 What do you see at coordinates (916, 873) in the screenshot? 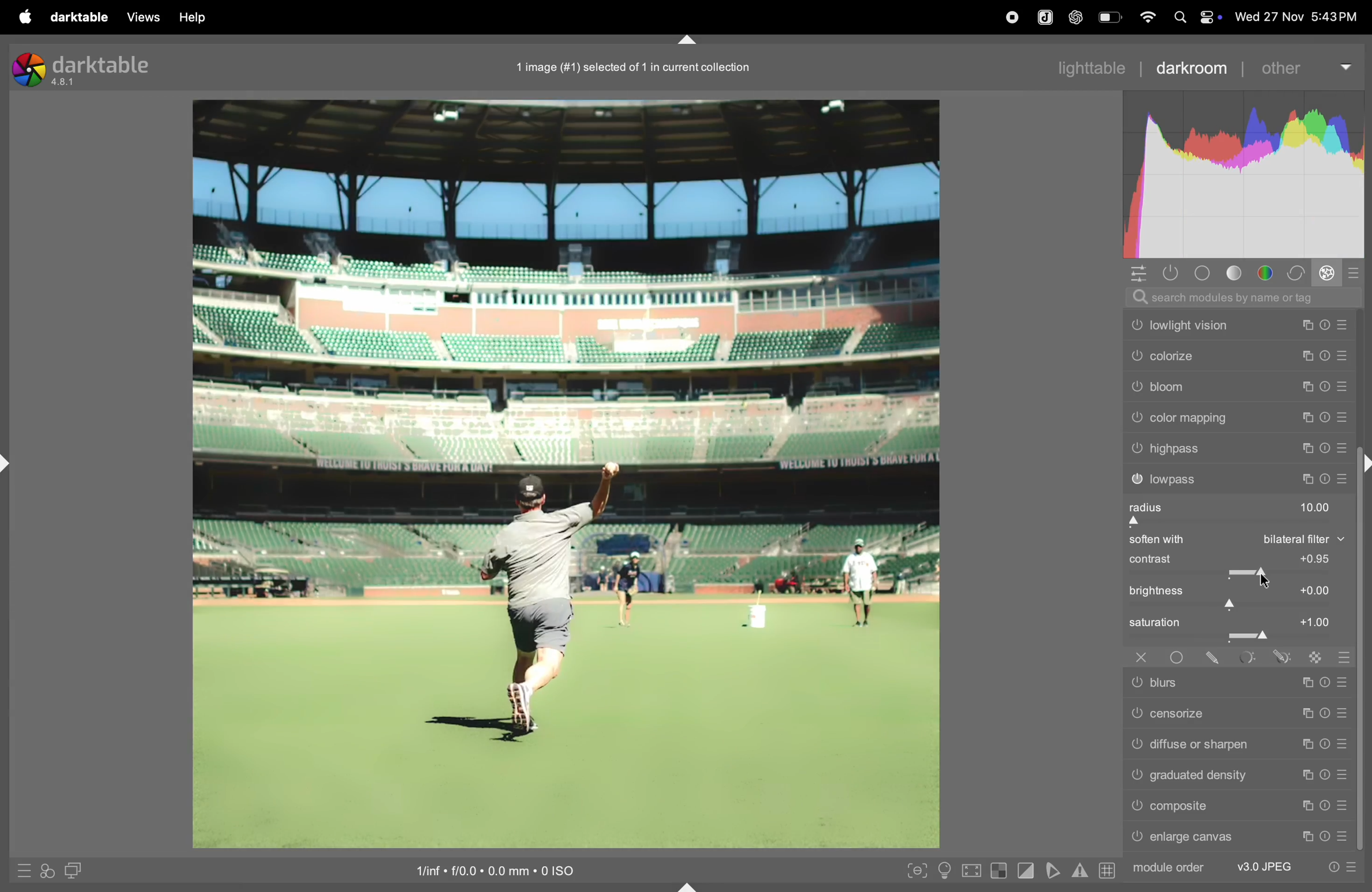
I see `toggle peaking foucus mode` at bounding box center [916, 873].